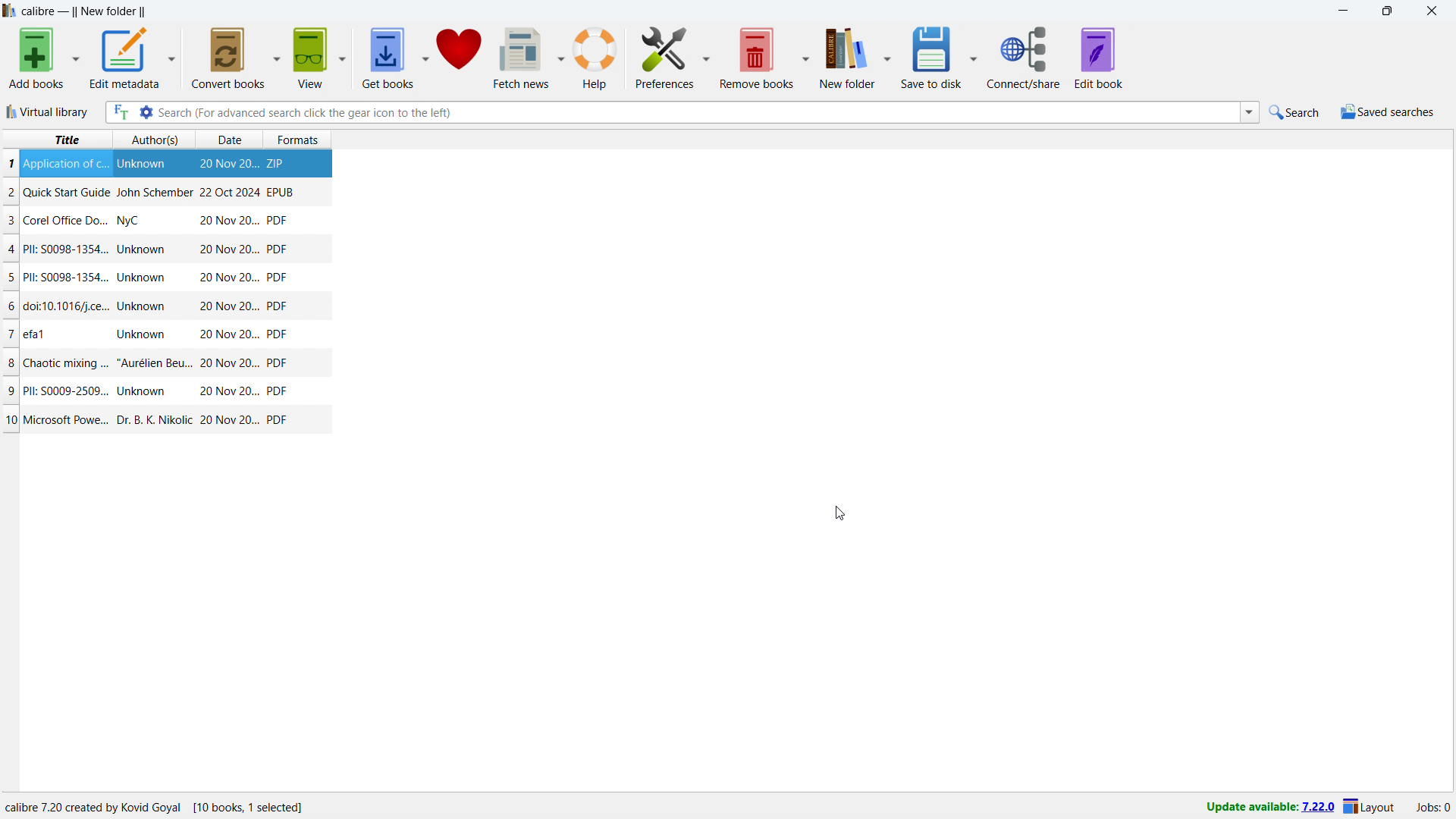 The width and height of the screenshot is (1456, 819). Describe the element at coordinates (152, 418) in the screenshot. I see `Author` at that location.